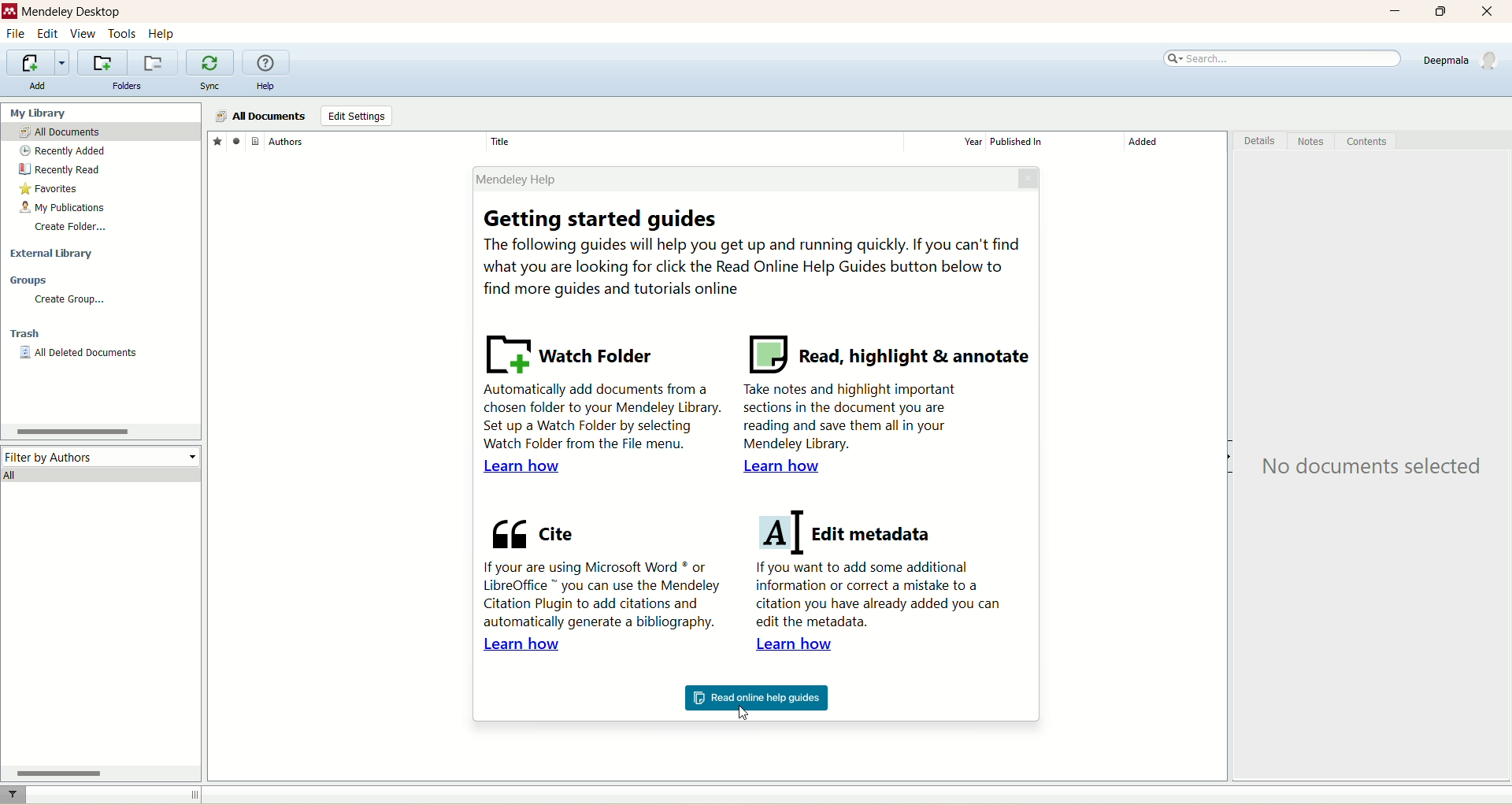 This screenshot has height=805, width=1512. What do you see at coordinates (47, 33) in the screenshot?
I see `edit` at bounding box center [47, 33].